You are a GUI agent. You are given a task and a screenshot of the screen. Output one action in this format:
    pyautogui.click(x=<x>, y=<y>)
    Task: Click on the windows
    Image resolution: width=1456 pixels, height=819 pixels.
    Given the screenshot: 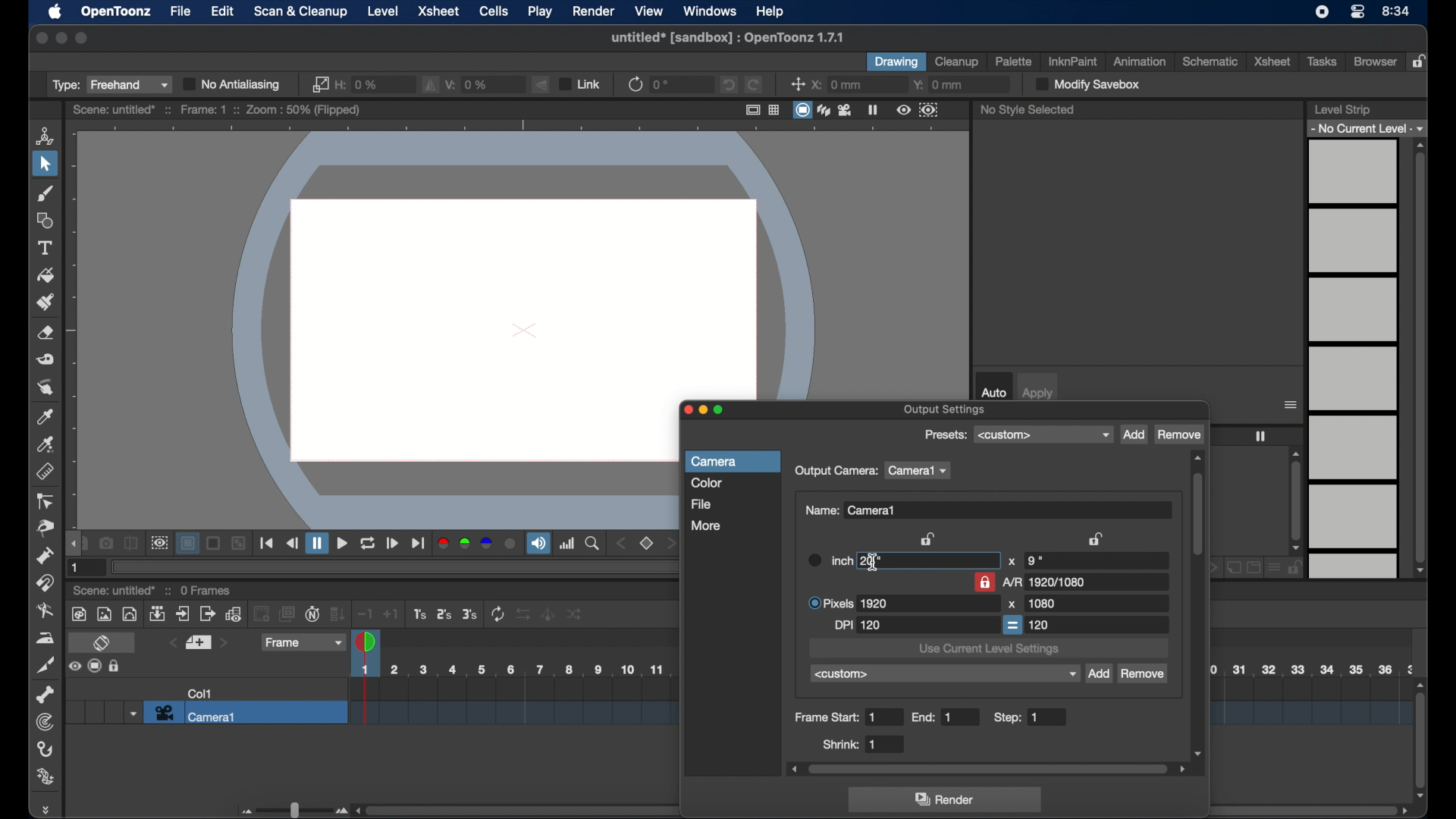 What is the action you would take?
    pyautogui.click(x=711, y=11)
    